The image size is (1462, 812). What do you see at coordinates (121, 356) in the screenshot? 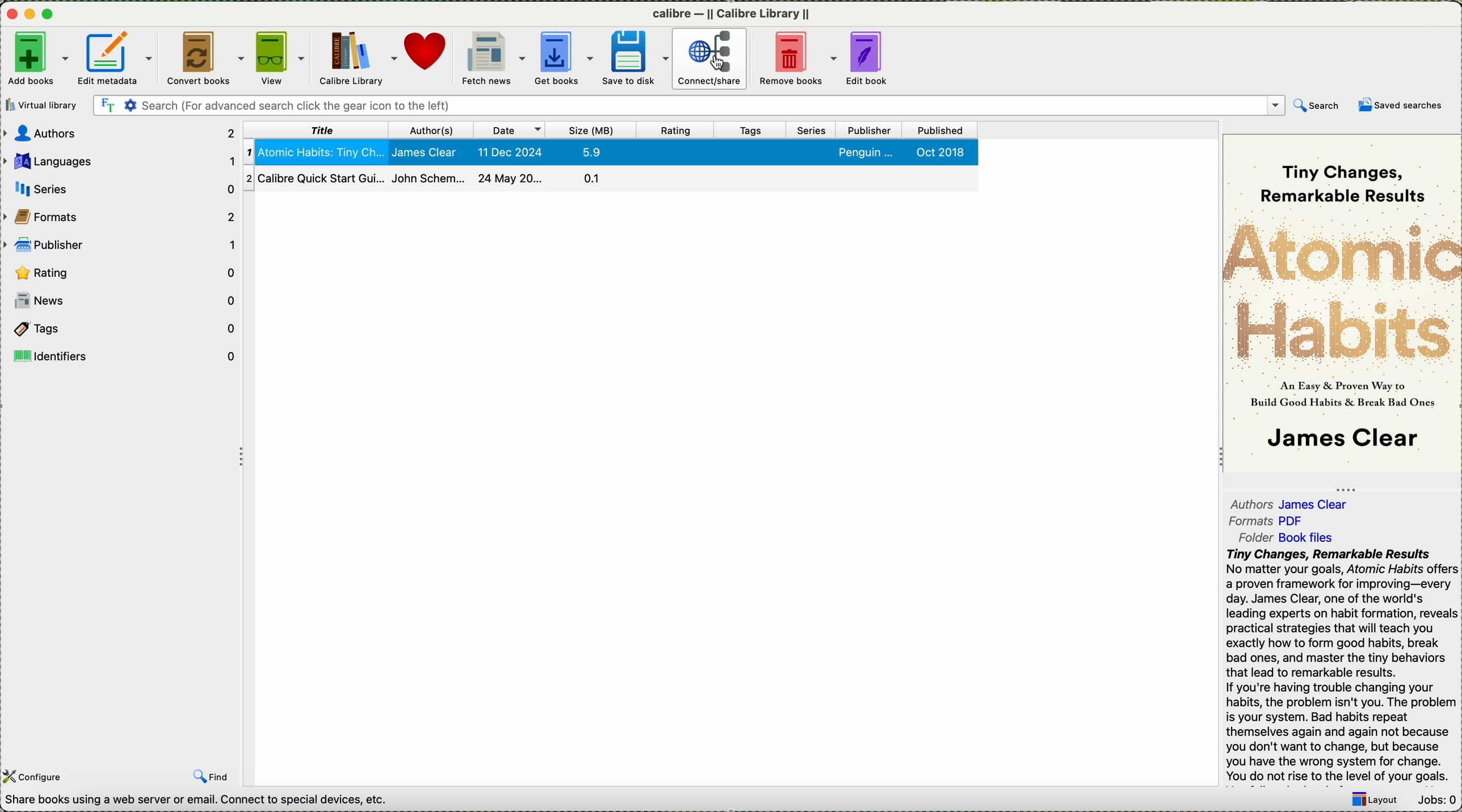
I see `identifiers` at bounding box center [121, 356].